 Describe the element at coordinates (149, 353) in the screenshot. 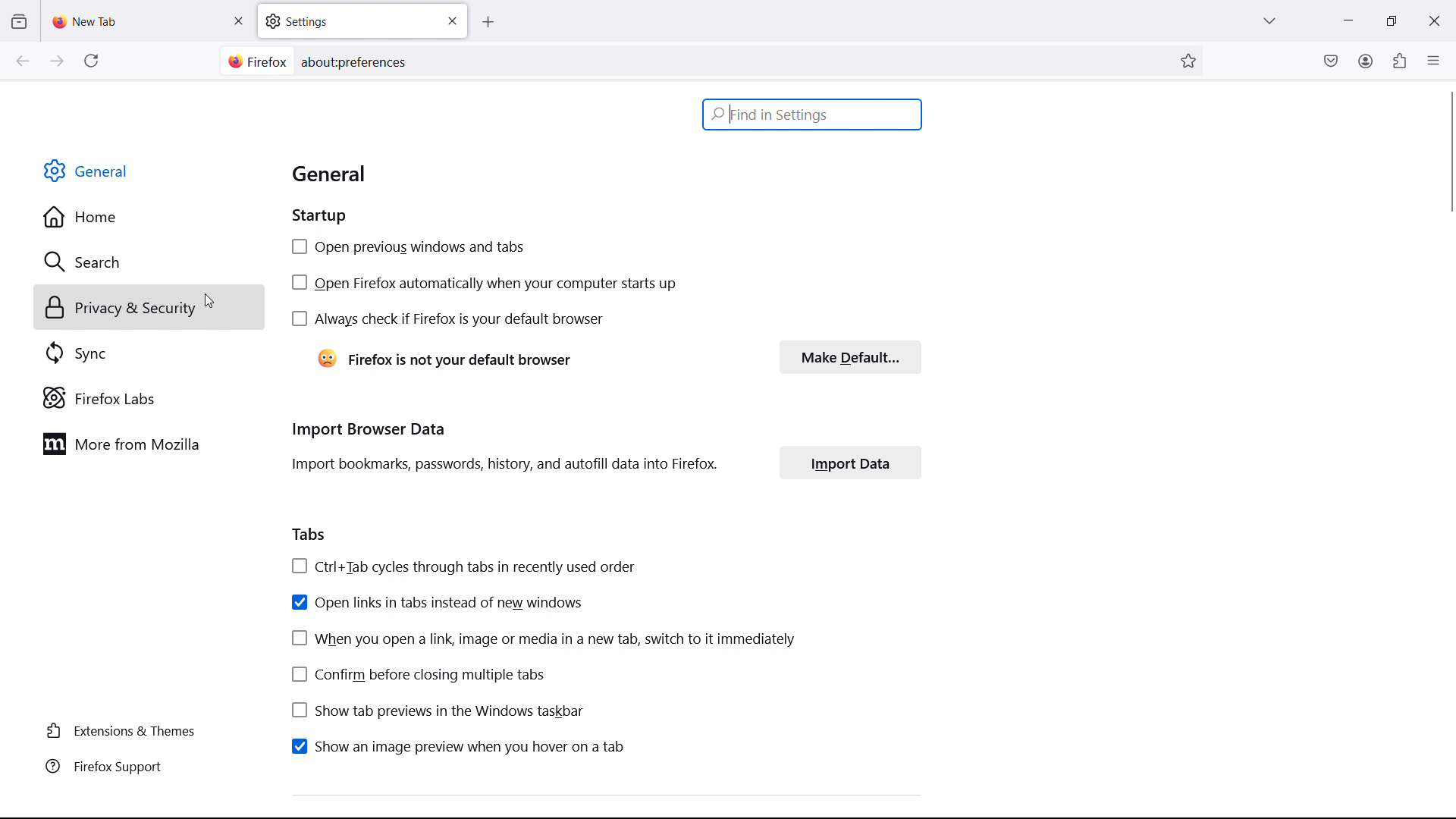

I see `sync` at that location.